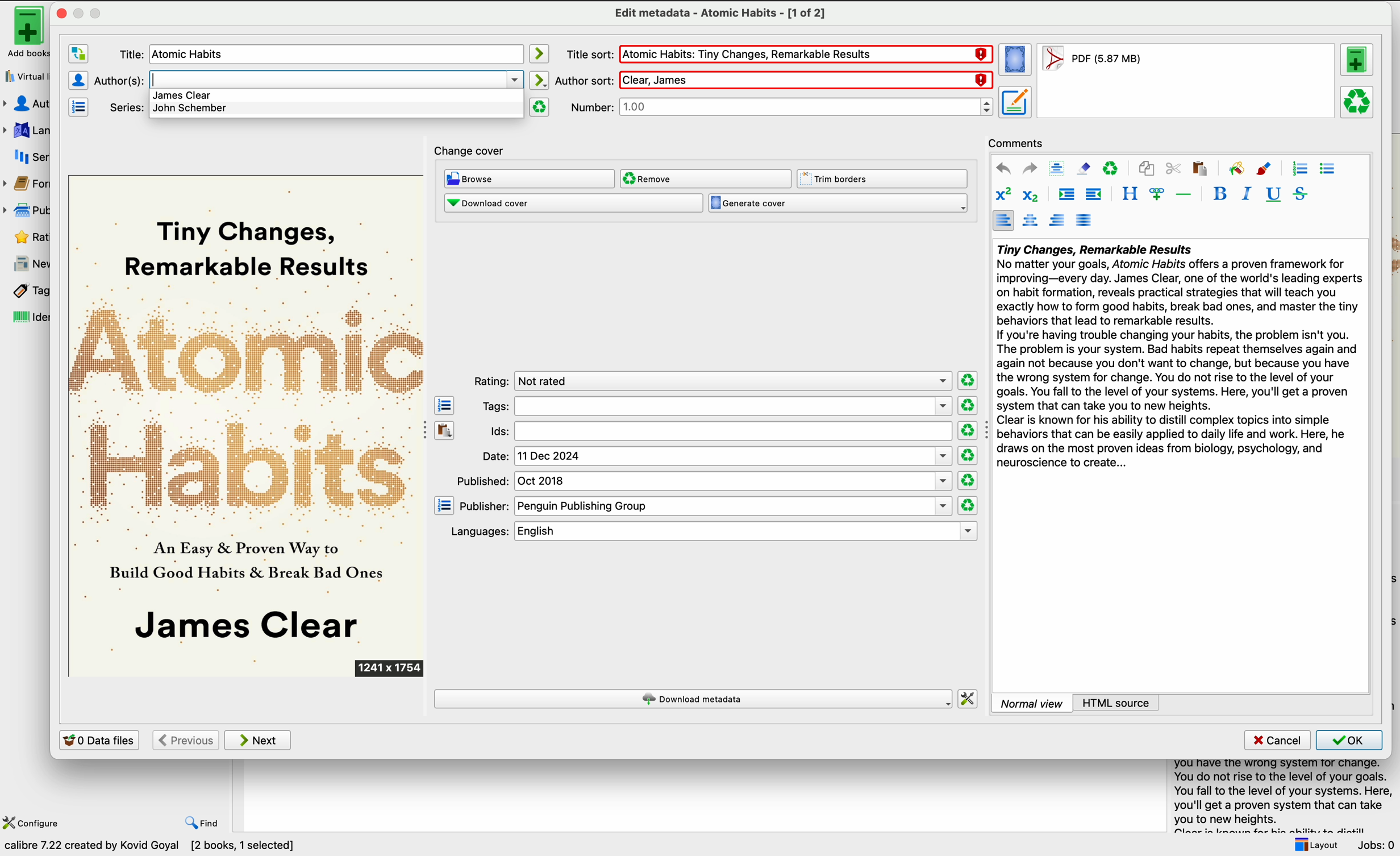 The width and height of the screenshot is (1400, 856). I want to click on clear rating, so click(966, 405).